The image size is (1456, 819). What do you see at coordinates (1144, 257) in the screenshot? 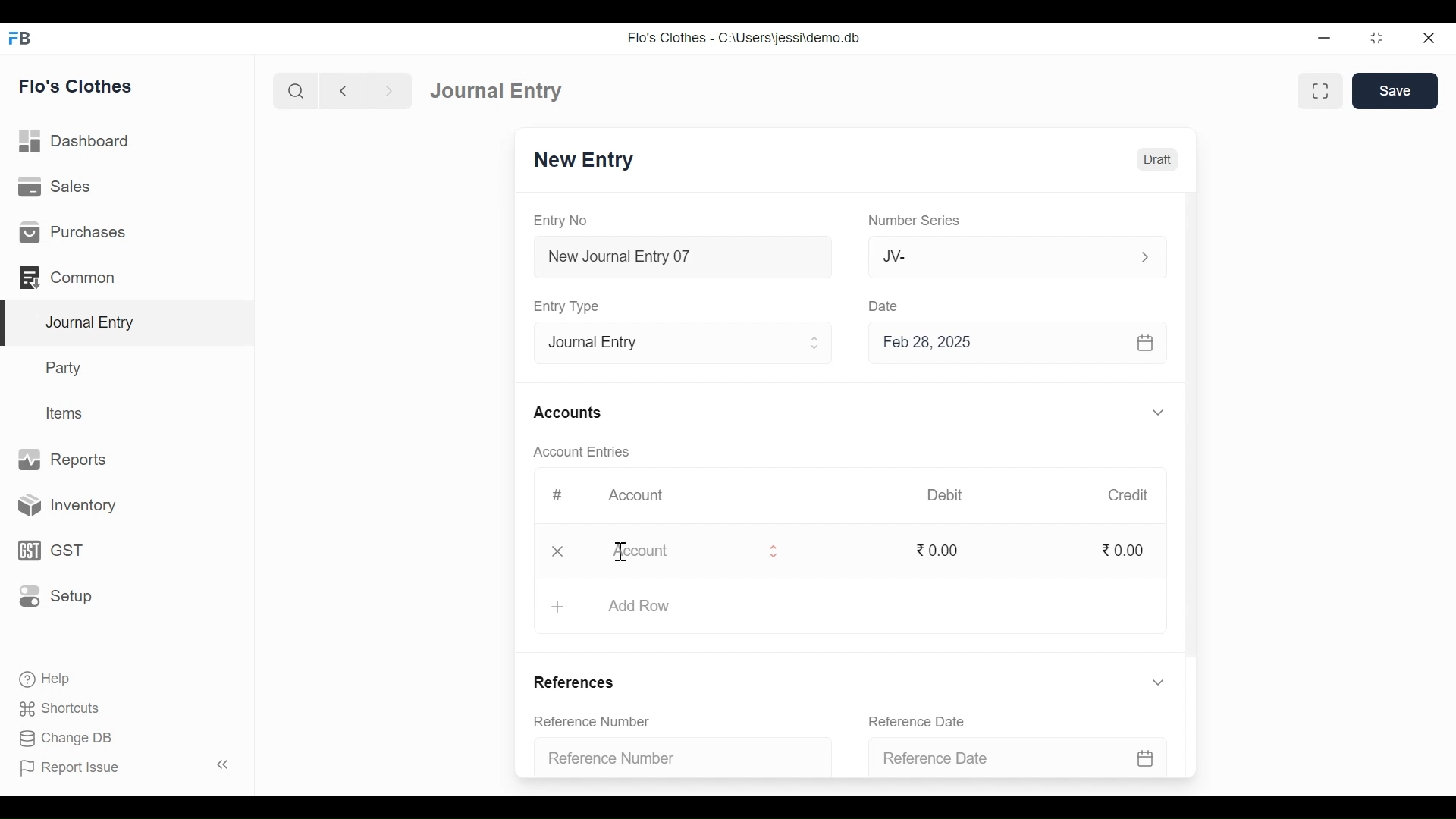
I see `Expand` at bounding box center [1144, 257].